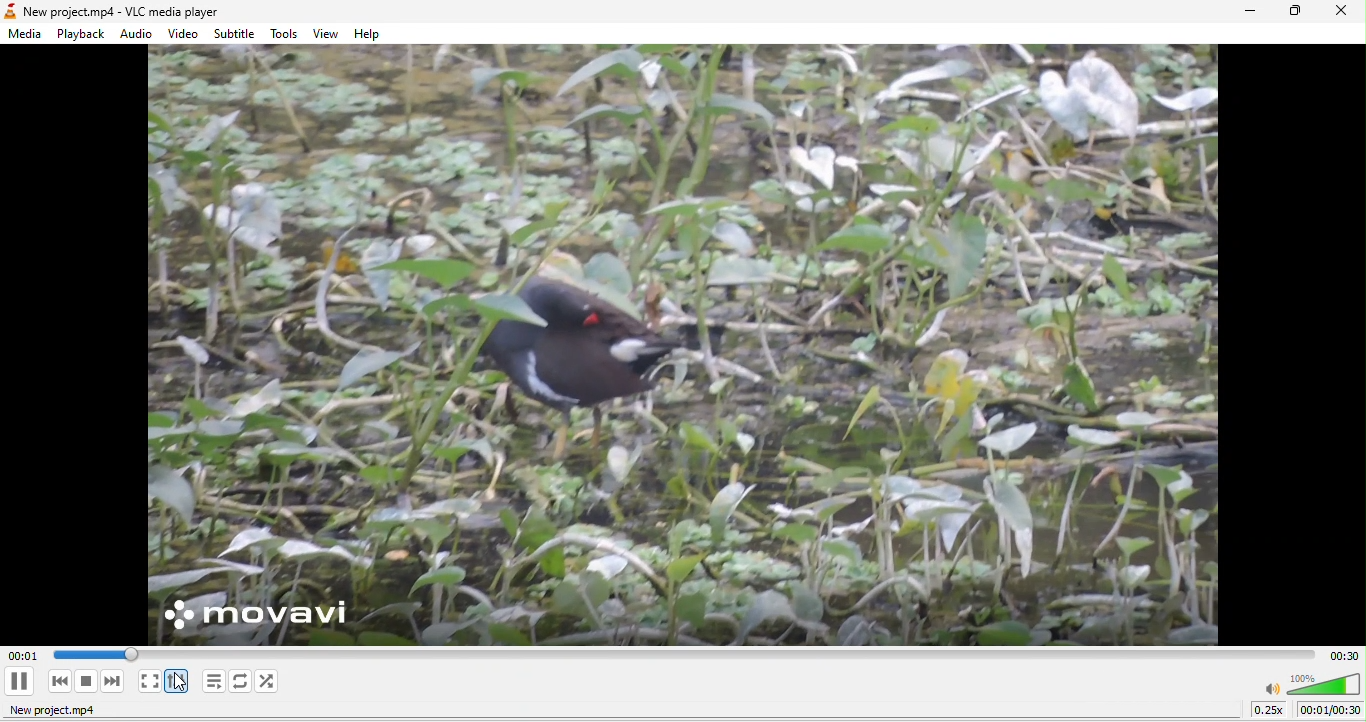 This screenshot has height=722, width=1366. I want to click on show extended settings, so click(179, 680).